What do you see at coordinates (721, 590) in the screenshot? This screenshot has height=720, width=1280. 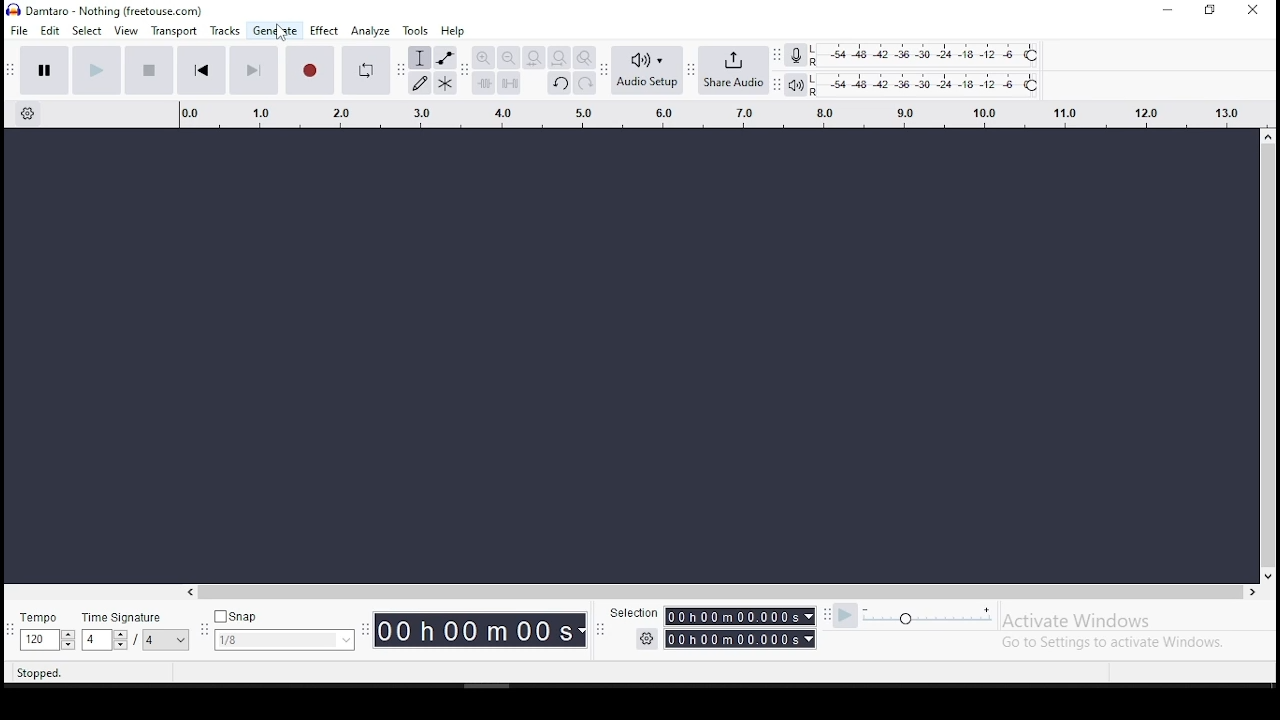 I see `scroll bar` at bounding box center [721, 590].